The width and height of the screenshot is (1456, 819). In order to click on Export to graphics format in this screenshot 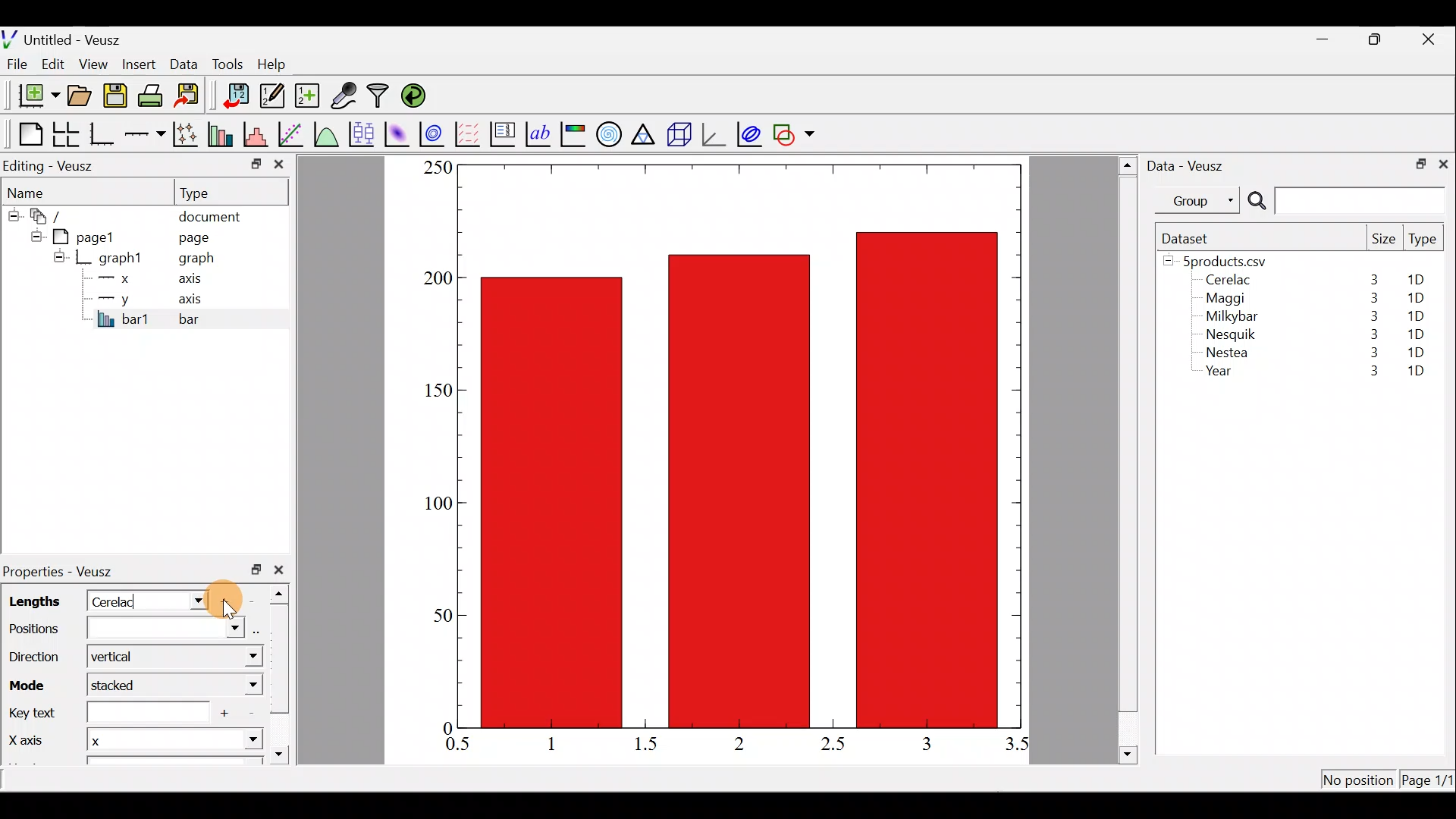, I will do `click(192, 96)`.